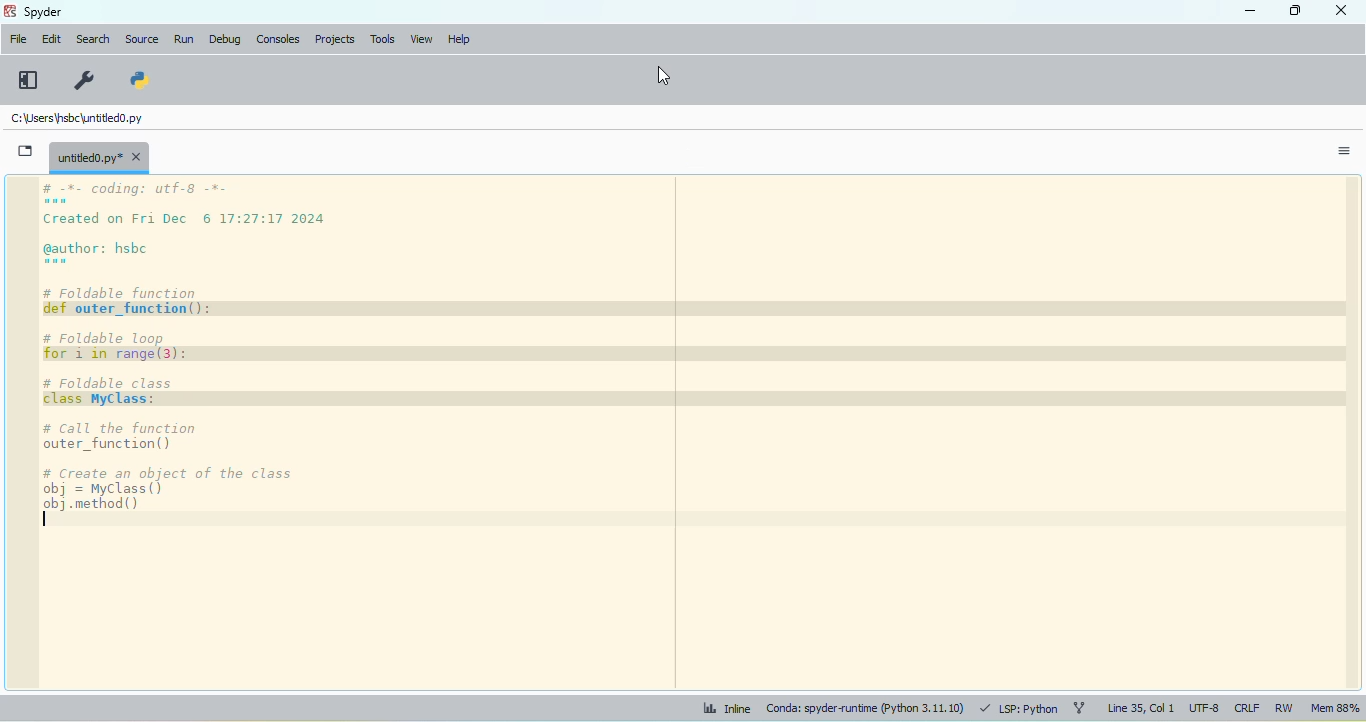 This screenshot has height=722, width=1366. I want to click on LSP: python, so click(1019, 708).